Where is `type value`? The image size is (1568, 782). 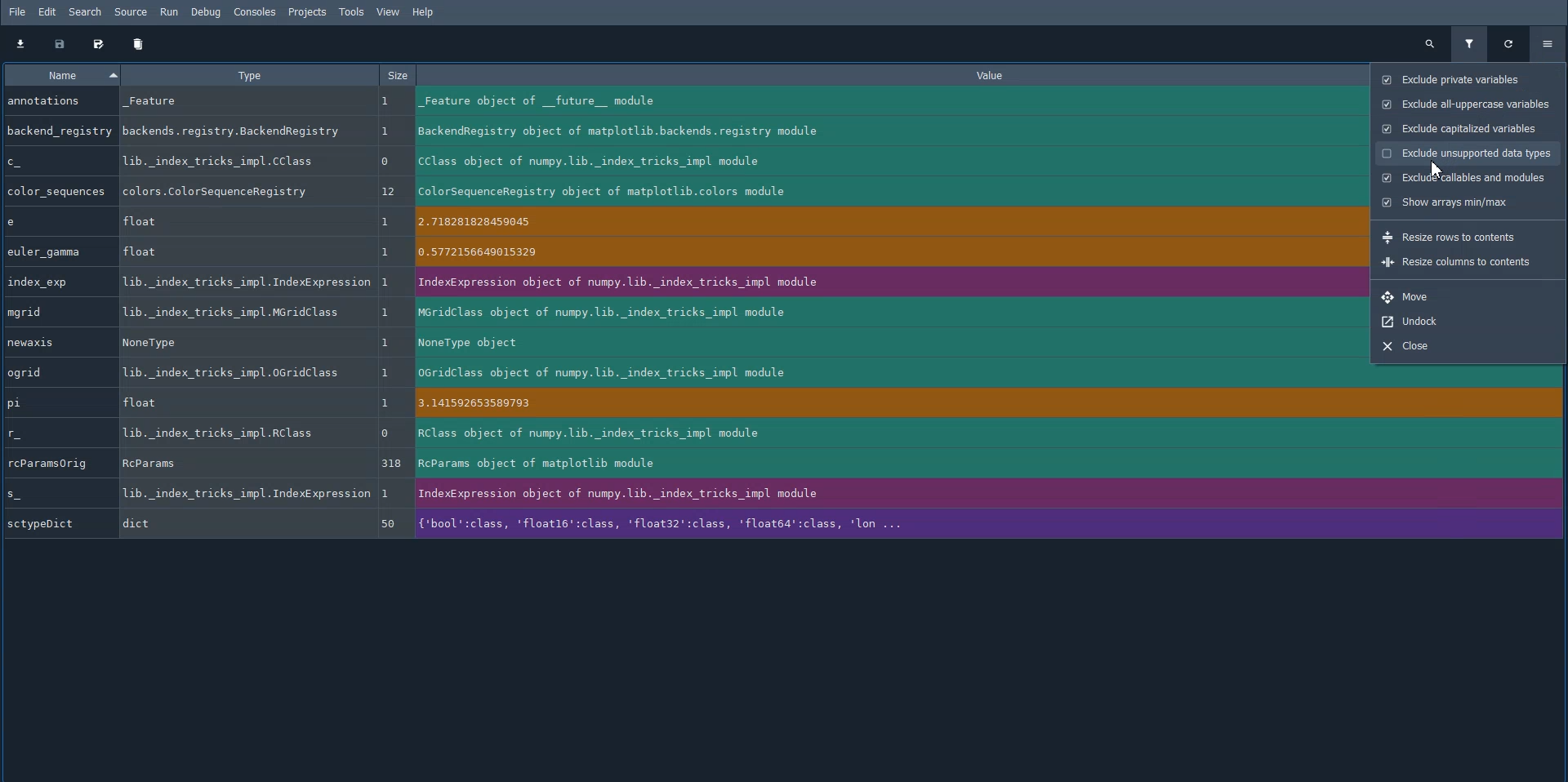
type value is located at coordinates (229, 313).